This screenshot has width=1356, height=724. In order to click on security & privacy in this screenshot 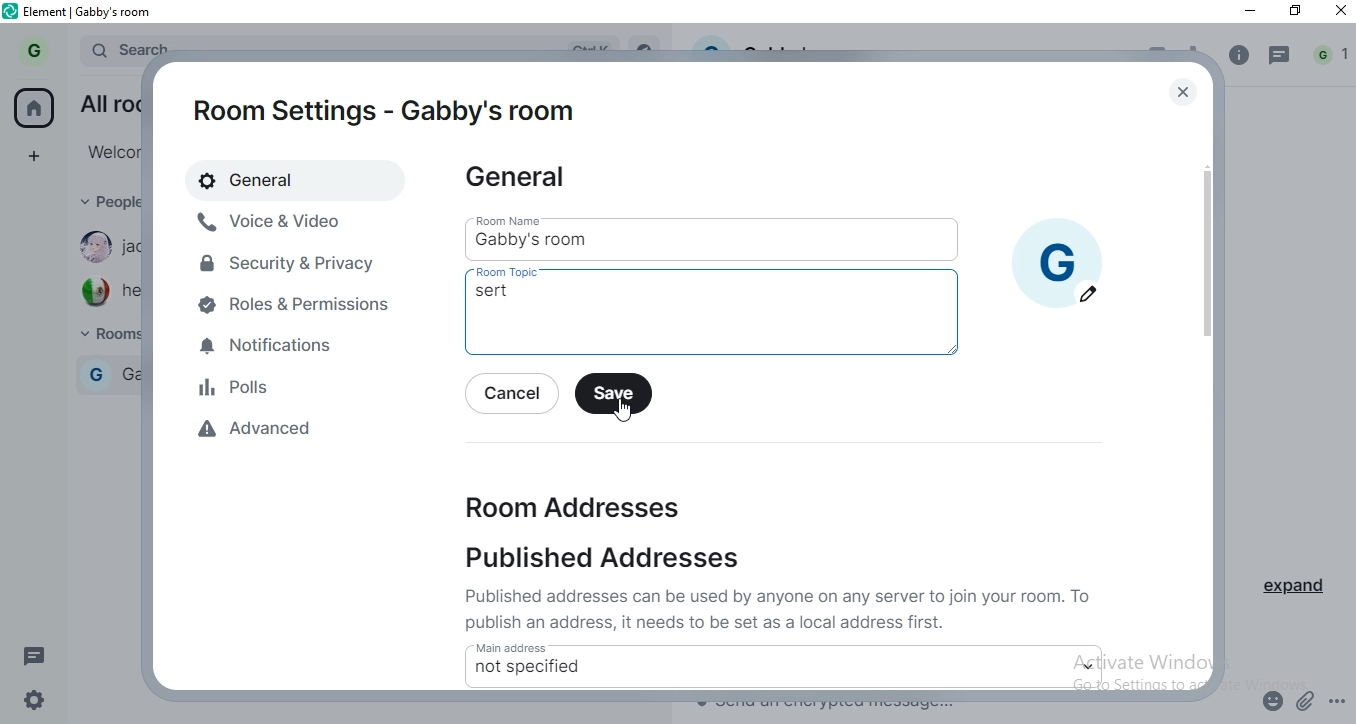, I will do `click(289, 262)`.